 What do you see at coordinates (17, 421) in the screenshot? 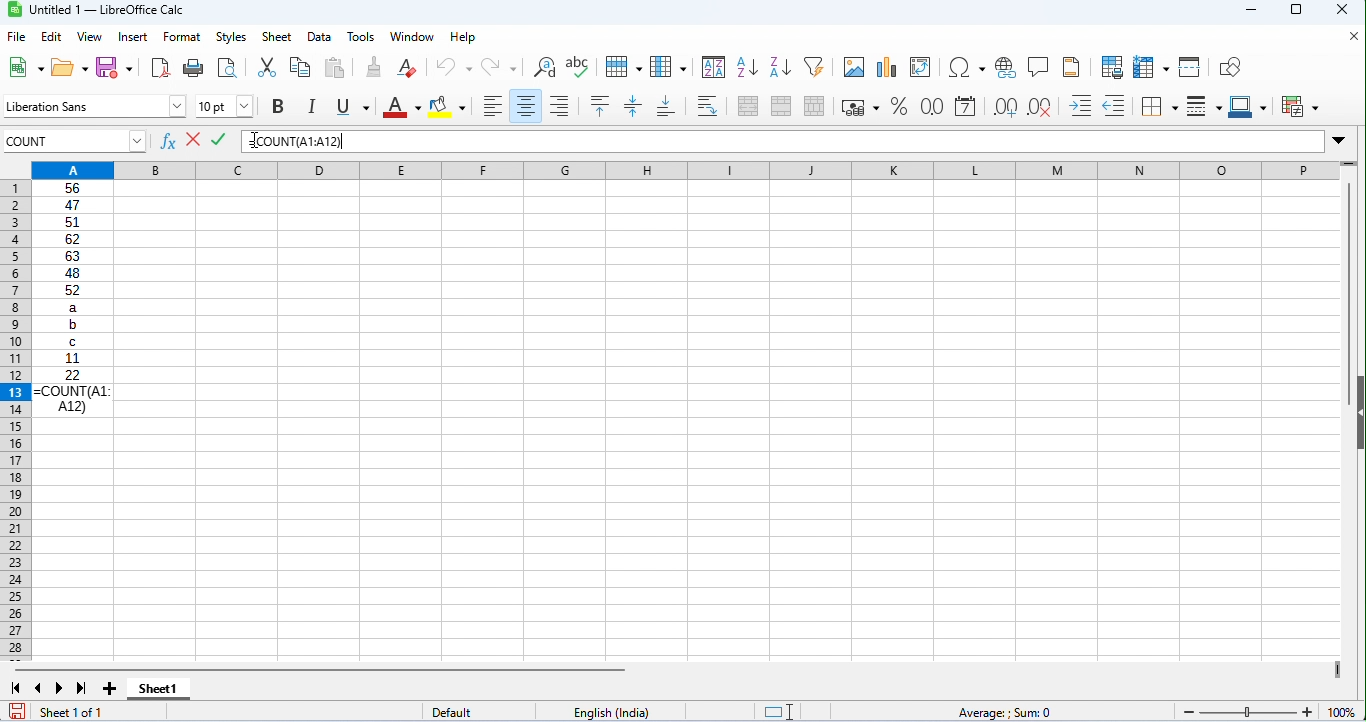
I see `row numbers` at bounding box center [17, 421].